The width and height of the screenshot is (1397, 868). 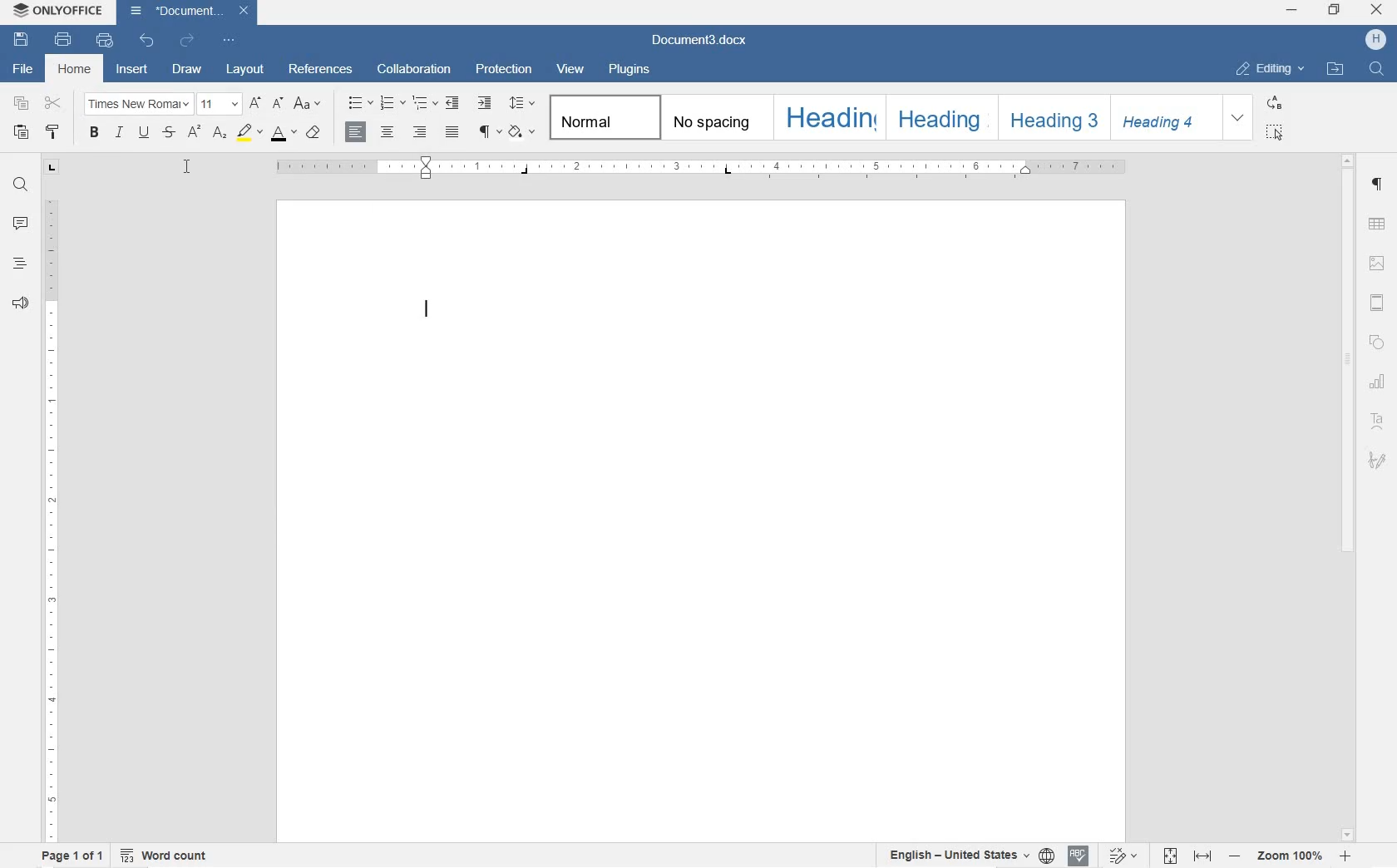 What do you see at coordinates (1336, 8) in the screenshot?
I see `restore` at bounding box center [1336, 8].